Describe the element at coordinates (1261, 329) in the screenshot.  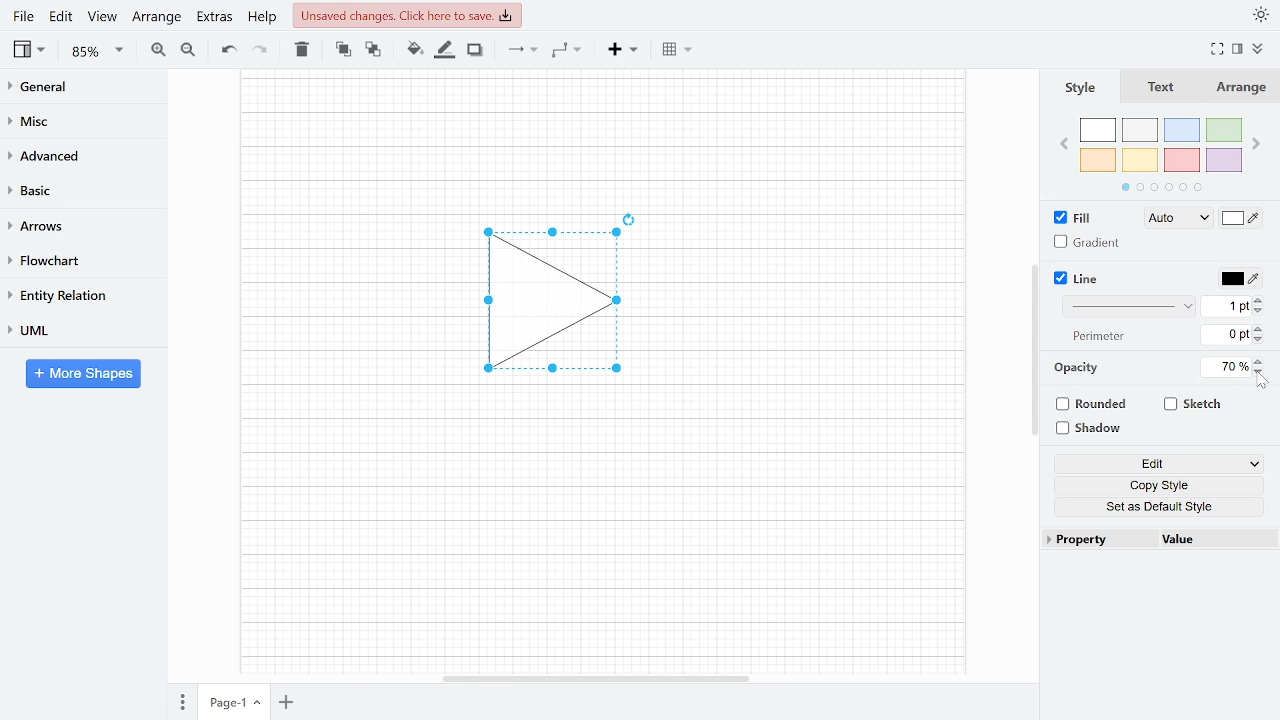
I see `Increase perimeter` at that location.